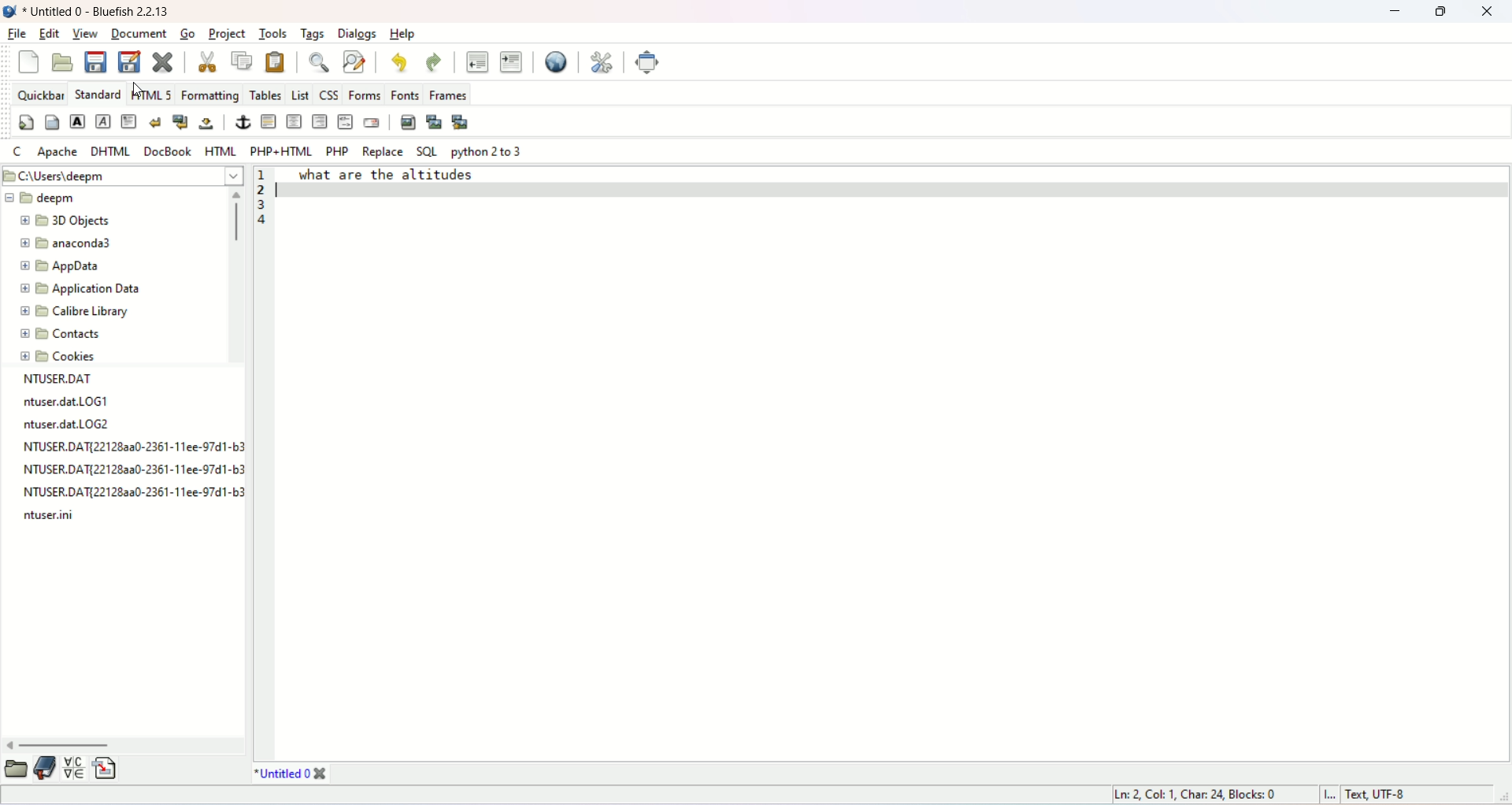 Image resolution: width=1512 pixels, height=805 pixels. Describe the element at coordinates (447, 92) in the screenshot. I see `frames` at that location.